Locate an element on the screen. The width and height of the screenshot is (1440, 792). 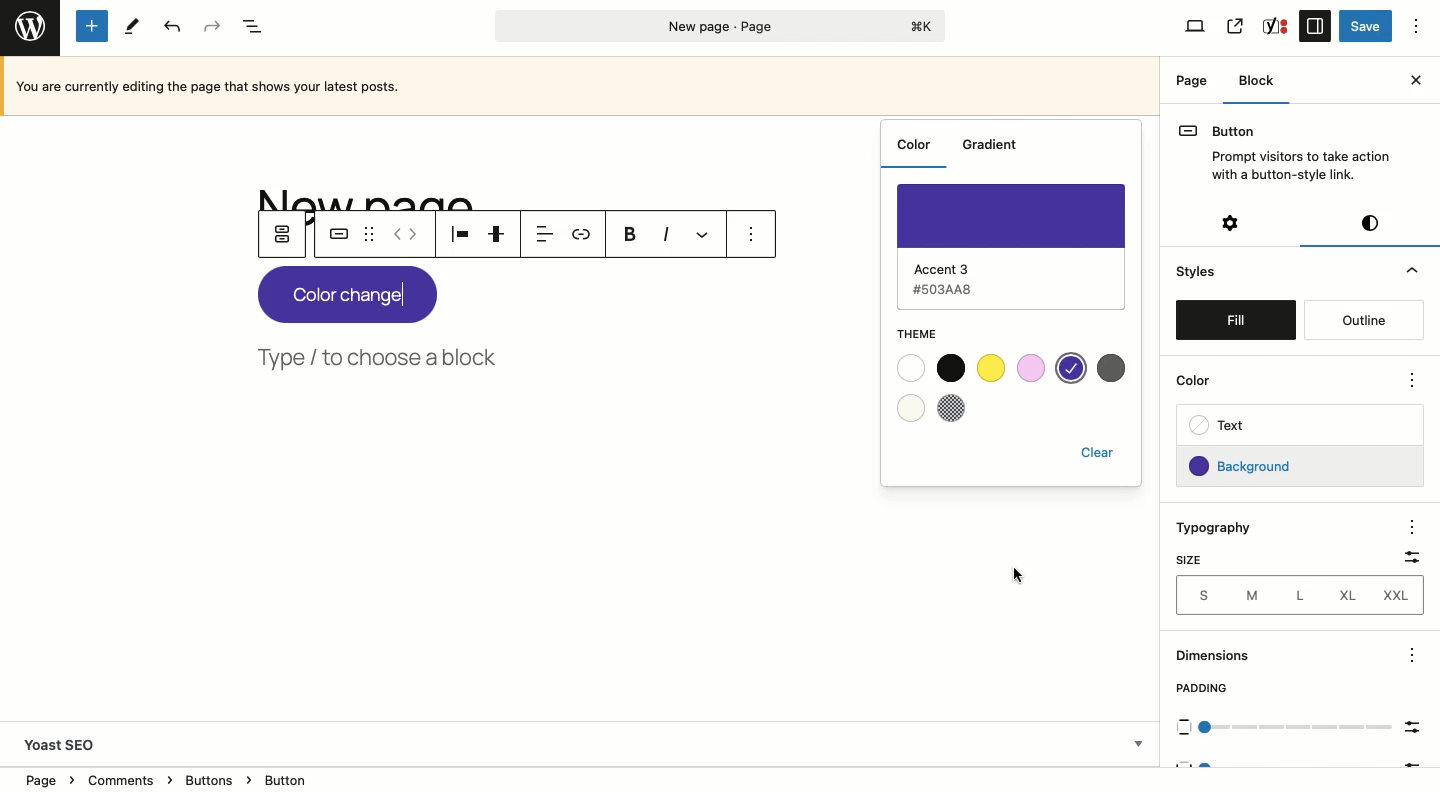
Selected color is located at coordinates (1070, 369).